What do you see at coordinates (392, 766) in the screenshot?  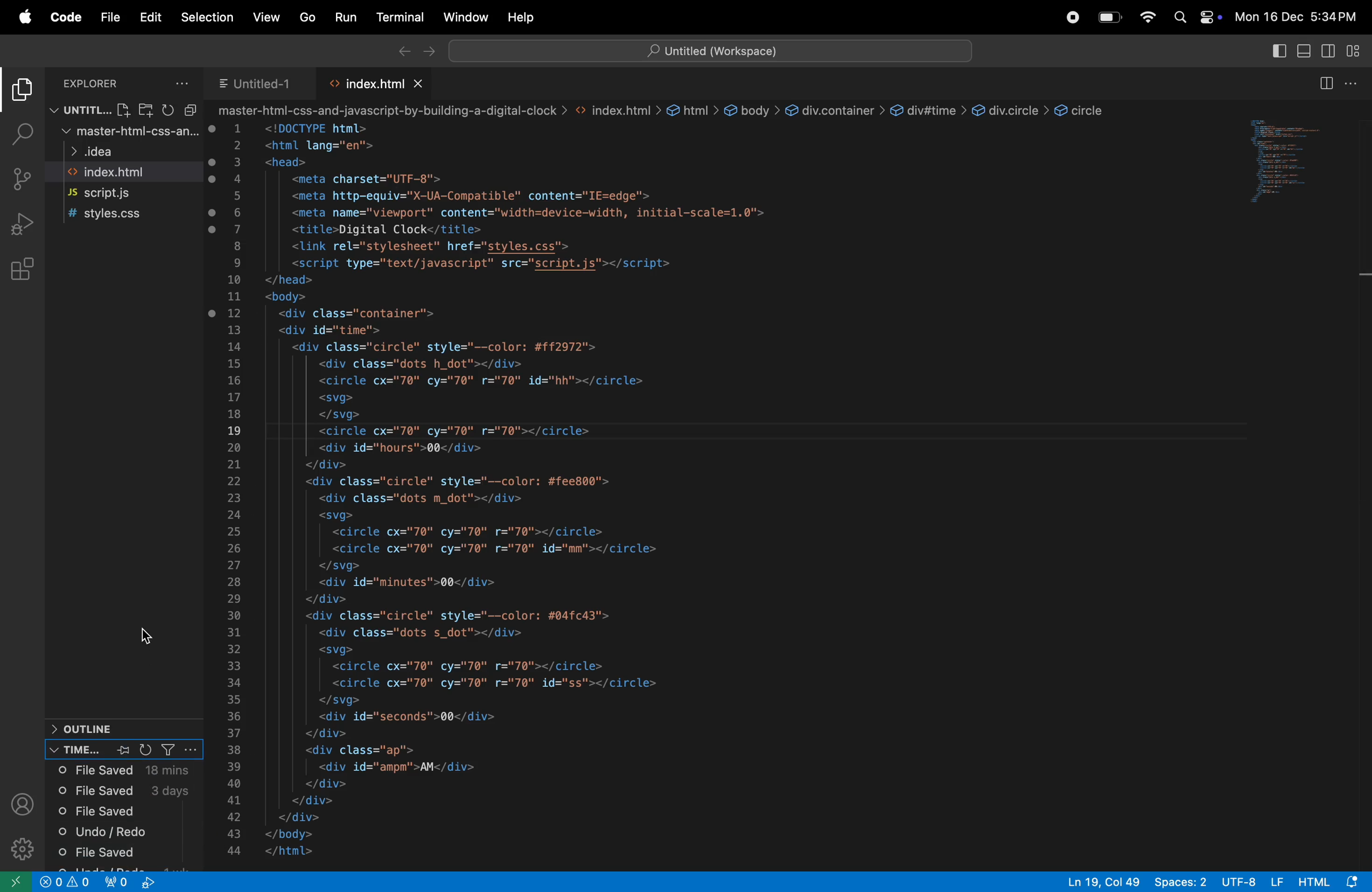 I see `<div id="ampm'">AM</div>` at bounding box center [392, 766].